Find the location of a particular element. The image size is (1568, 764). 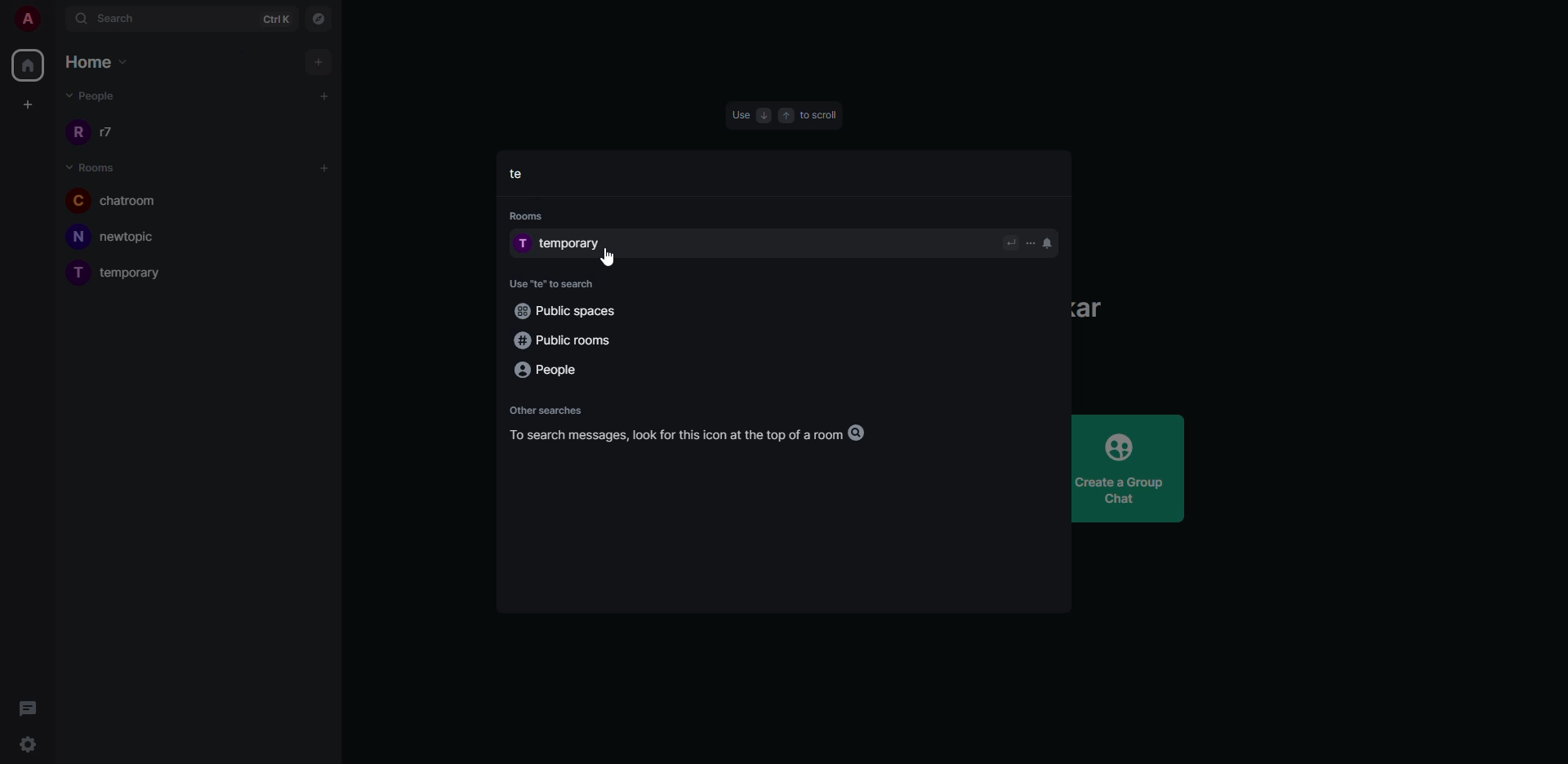

bell is located at coordinates (1050, 242).